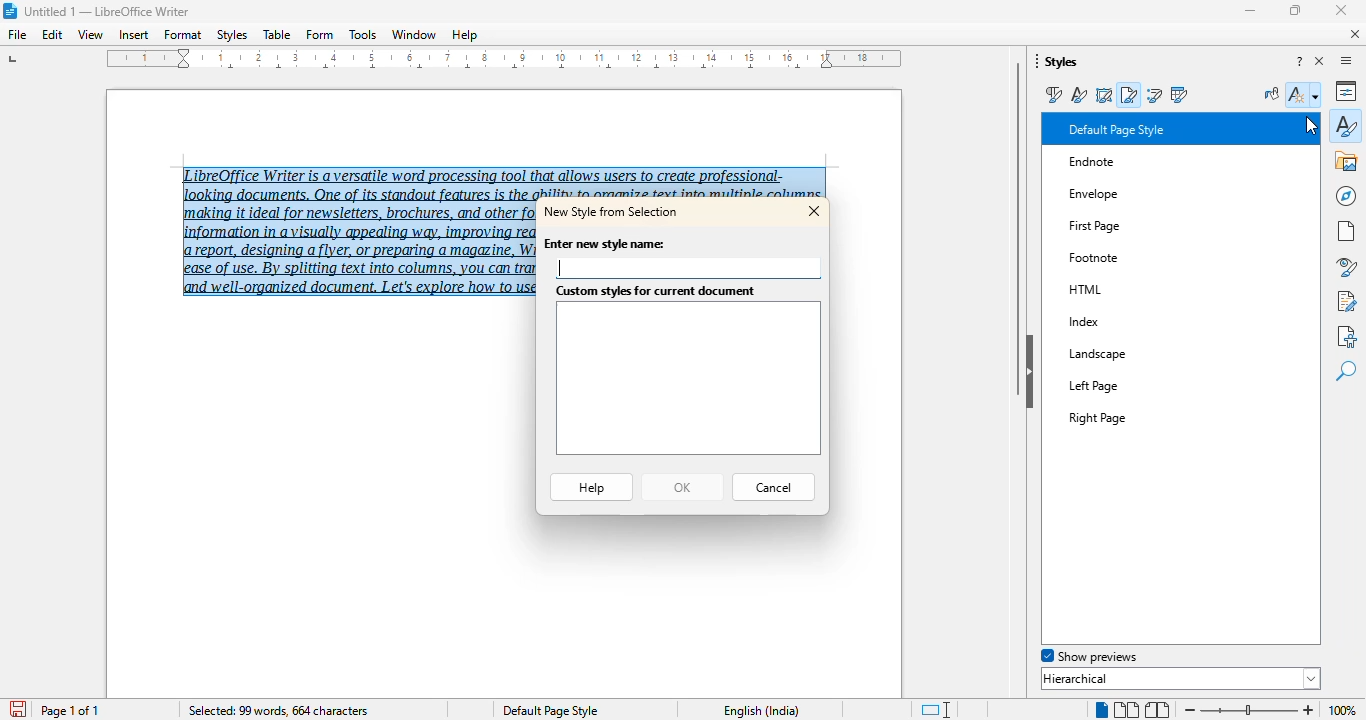 Image resolution: width=1366 pixels, height=720 pixels. Describe the element at coordinates (1300, 62) in the screenshot. I see `help about this sidebar deck` at that location.